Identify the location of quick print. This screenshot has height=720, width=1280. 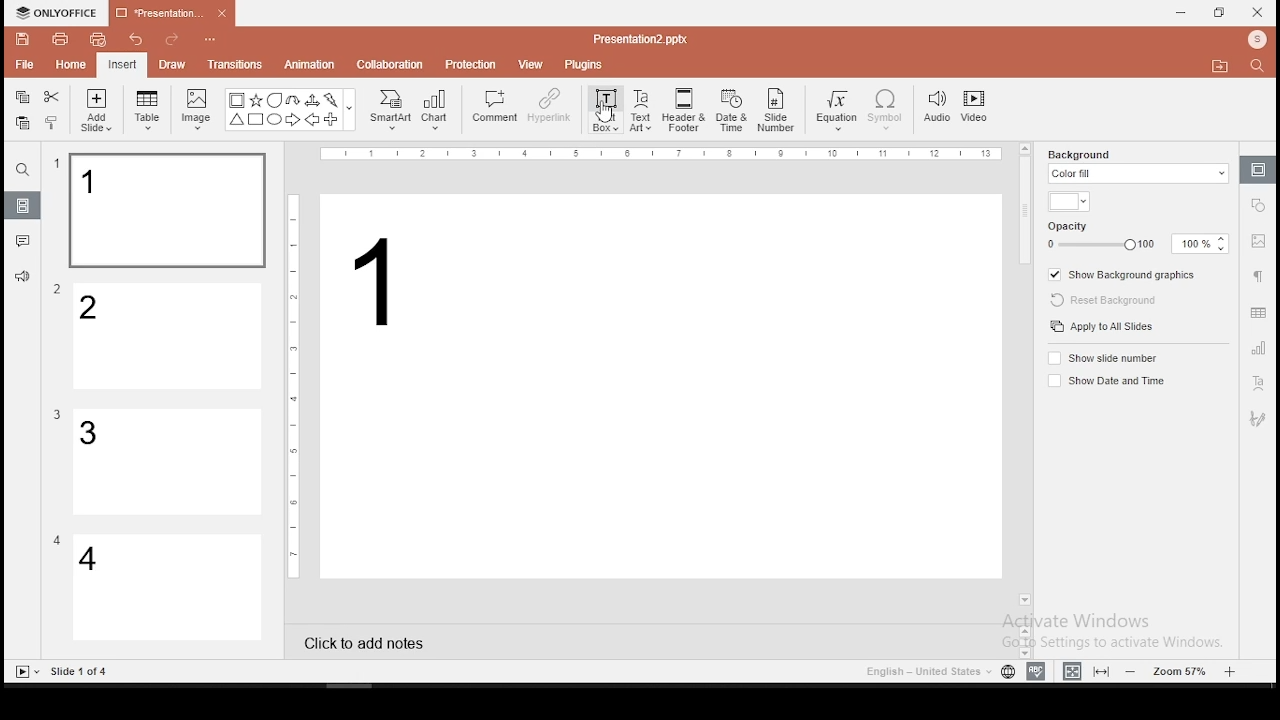
(98, 39).